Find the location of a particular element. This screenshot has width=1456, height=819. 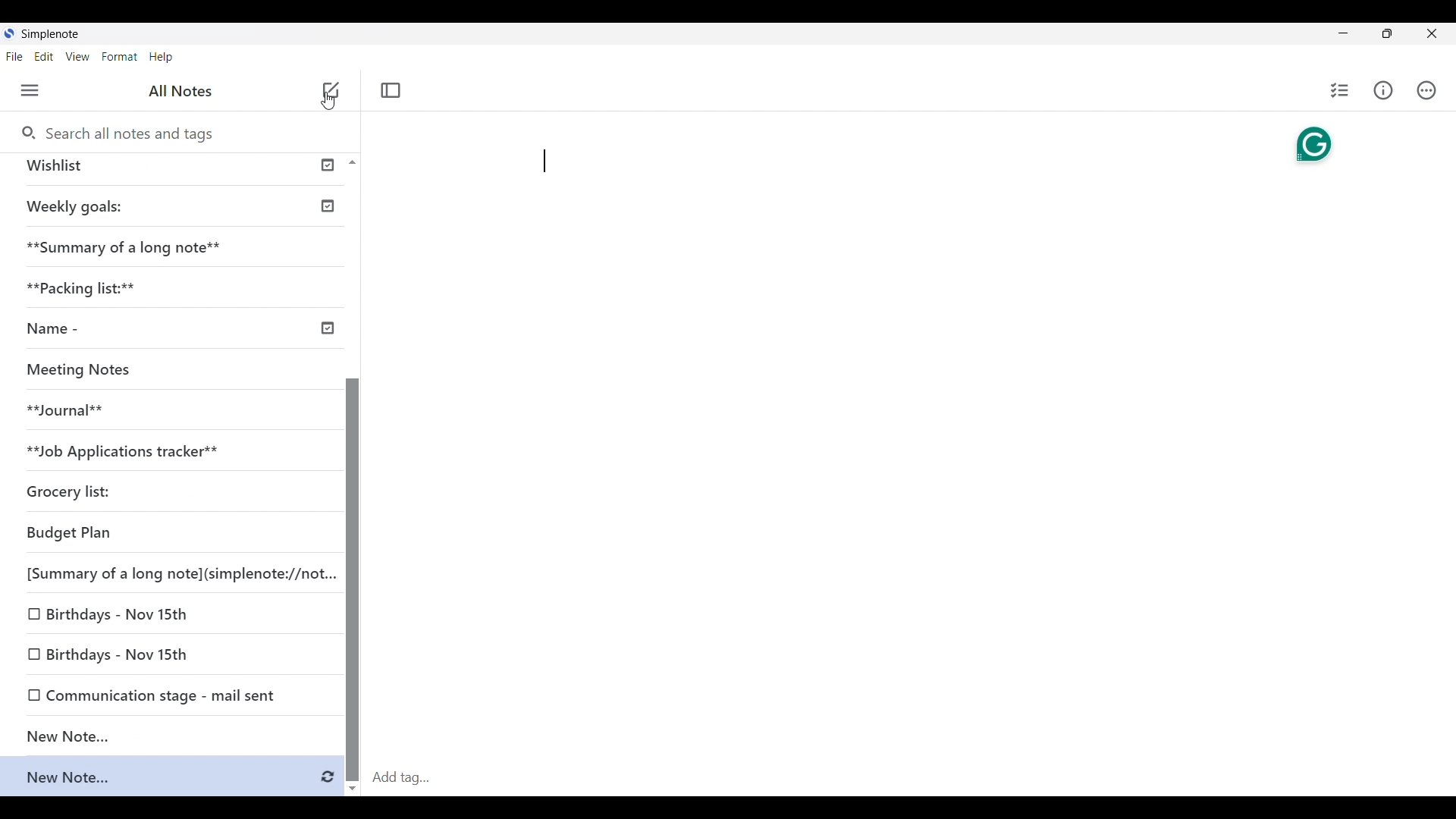

Software note is located at coordinates (55, 33).